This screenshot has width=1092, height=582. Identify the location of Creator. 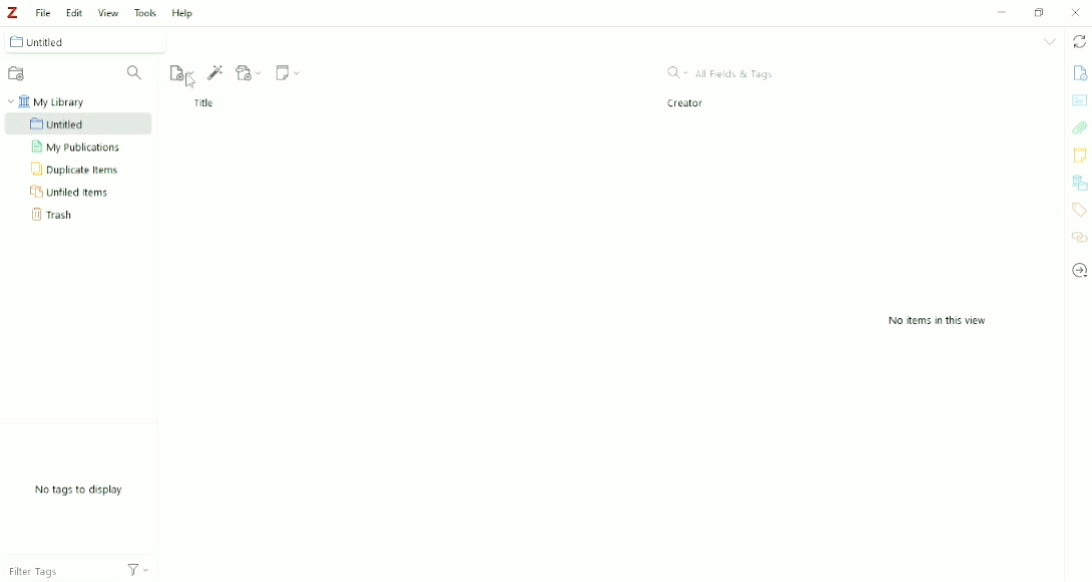
(687, 104).